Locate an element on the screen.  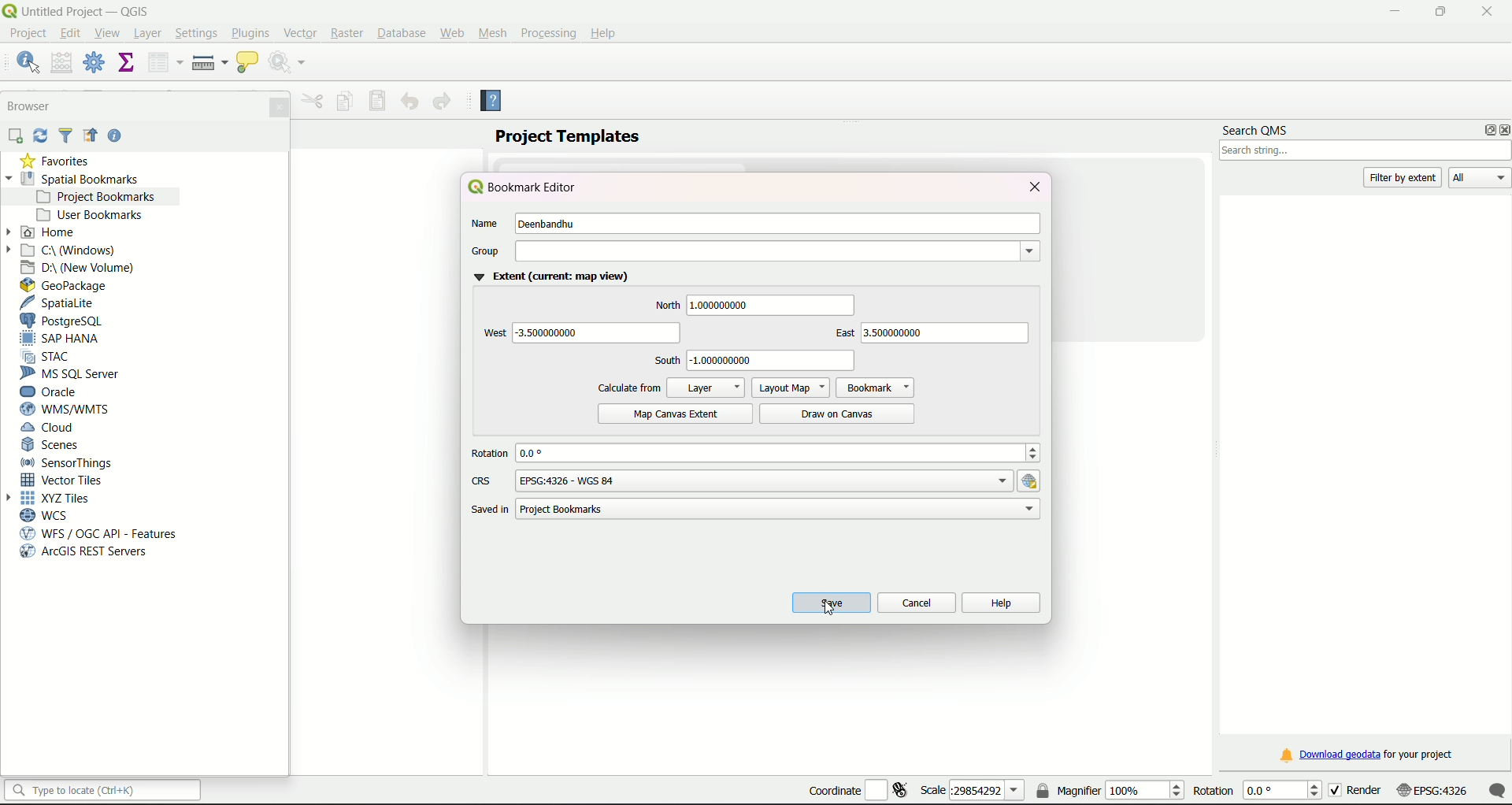
directions is located at coordinates (757, 331).